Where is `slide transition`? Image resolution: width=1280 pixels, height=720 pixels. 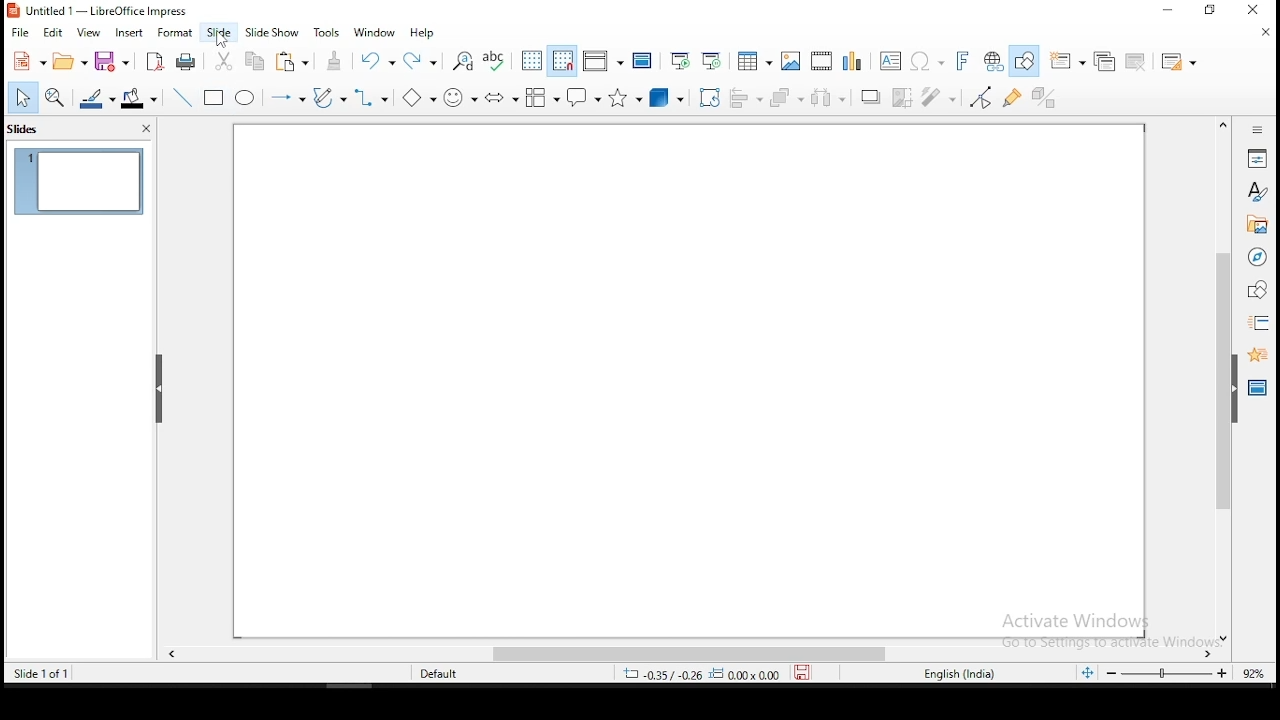
slide transition is located at coordinates (1256, 325).